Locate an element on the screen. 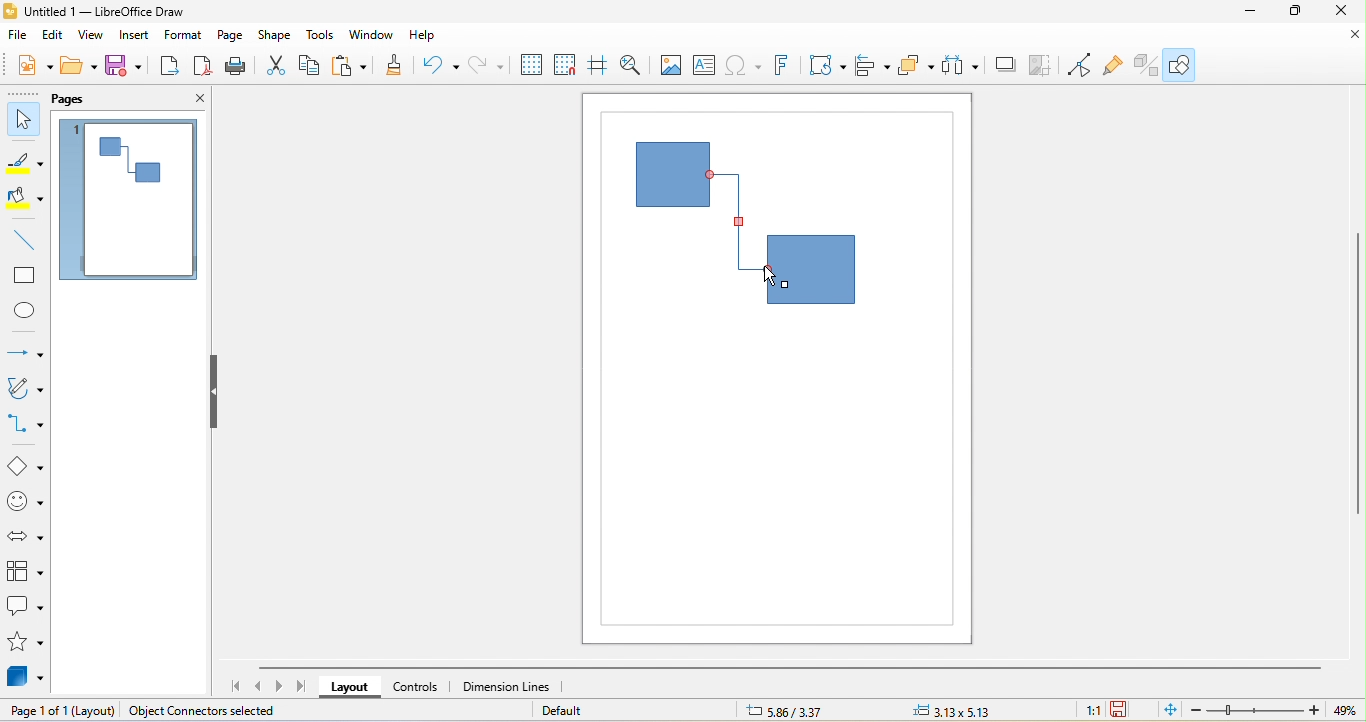 This screenshot has width=1366, height=722. hide is located at coordinates (213, 392).